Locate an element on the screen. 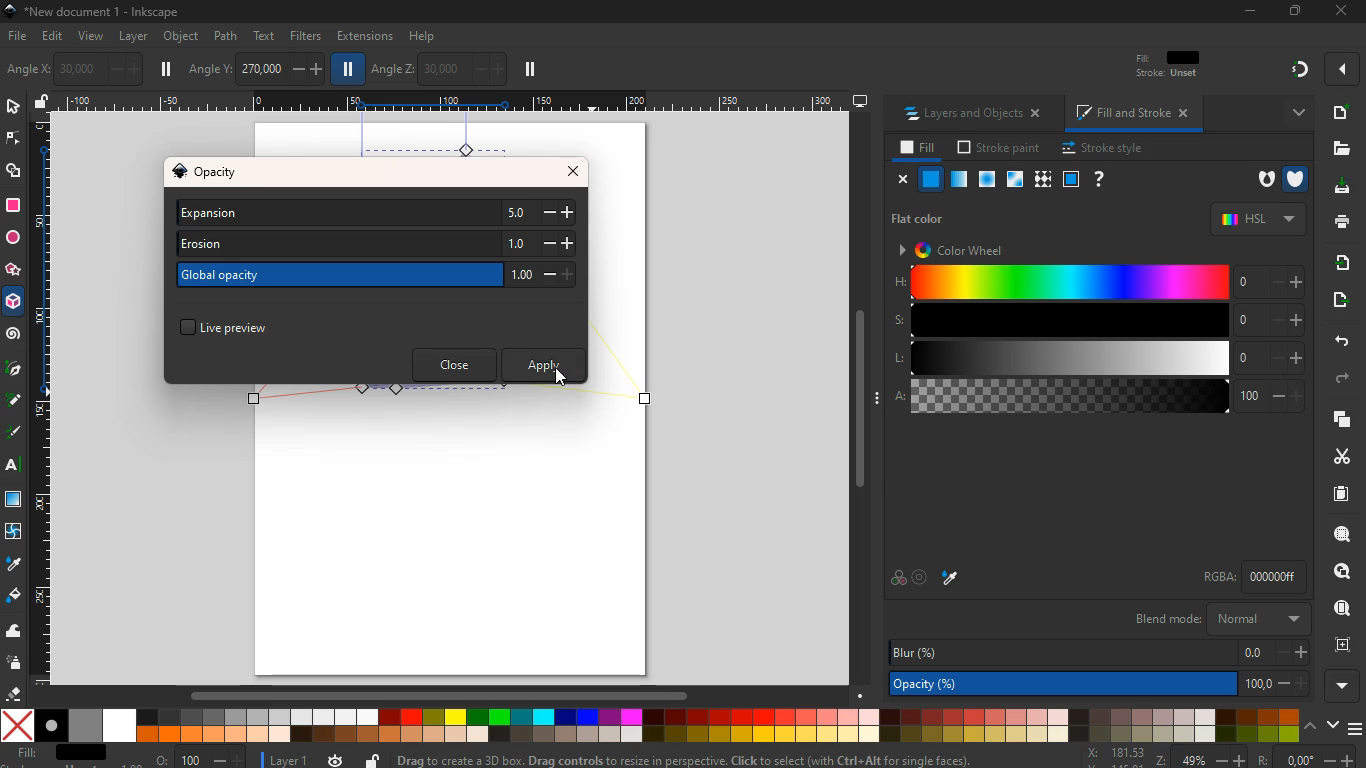  spiral is located at coordinates (14, 336).